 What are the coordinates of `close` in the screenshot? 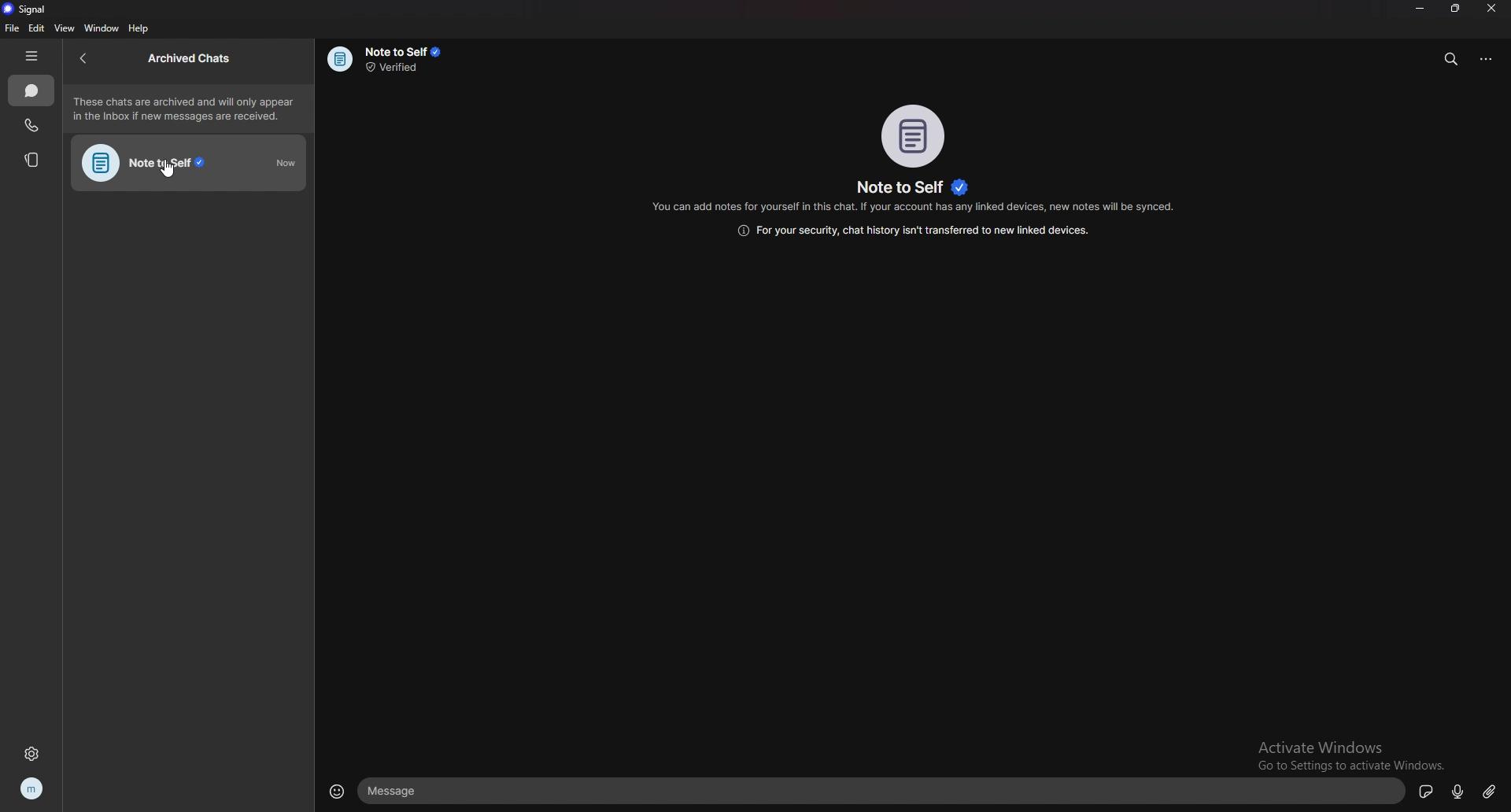 It's located at (1493, 8).